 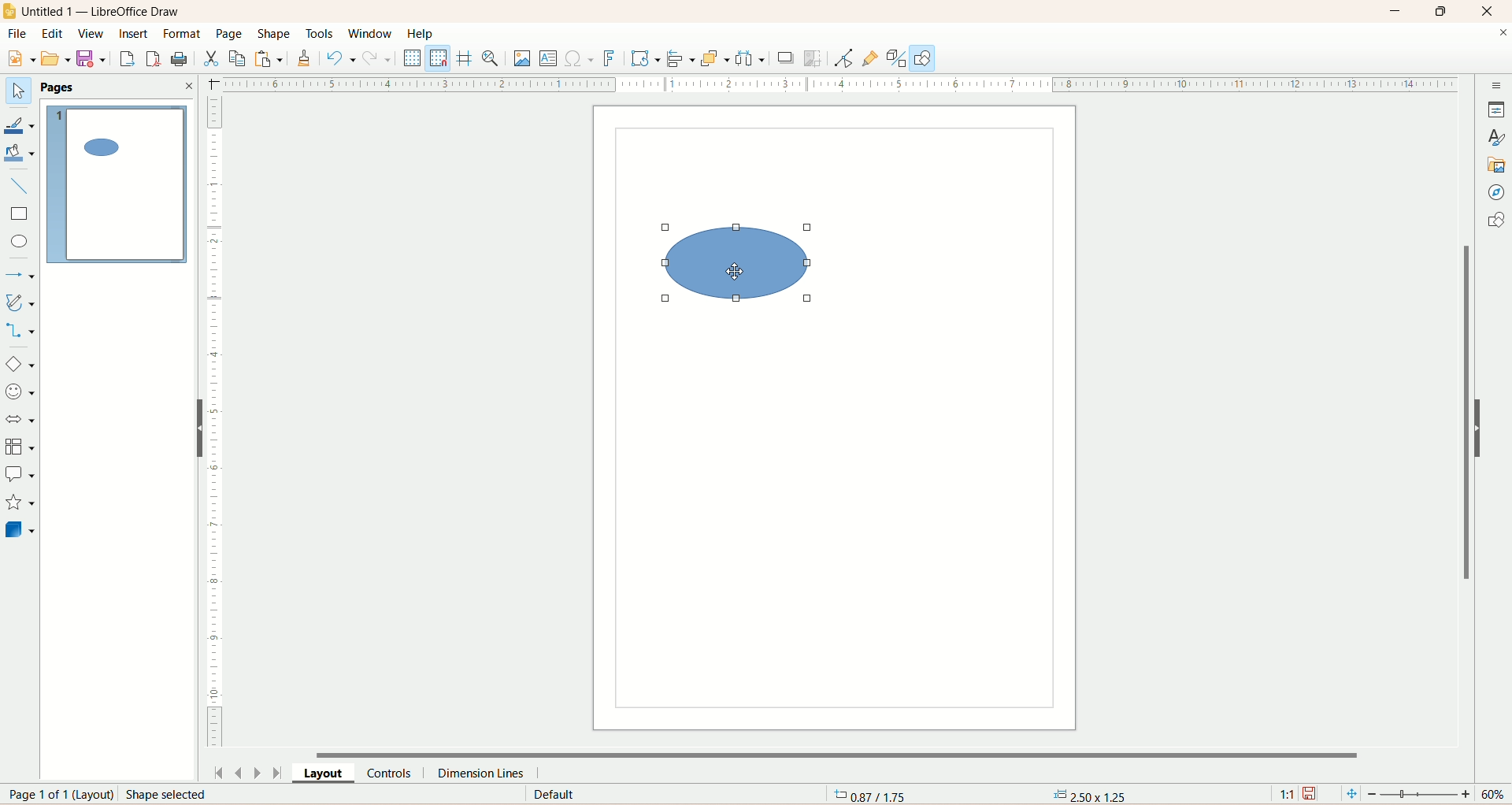 What do you see at coordinates (320, 35) in the screenshot?
I see `tools` at bounding box center [320, 35].